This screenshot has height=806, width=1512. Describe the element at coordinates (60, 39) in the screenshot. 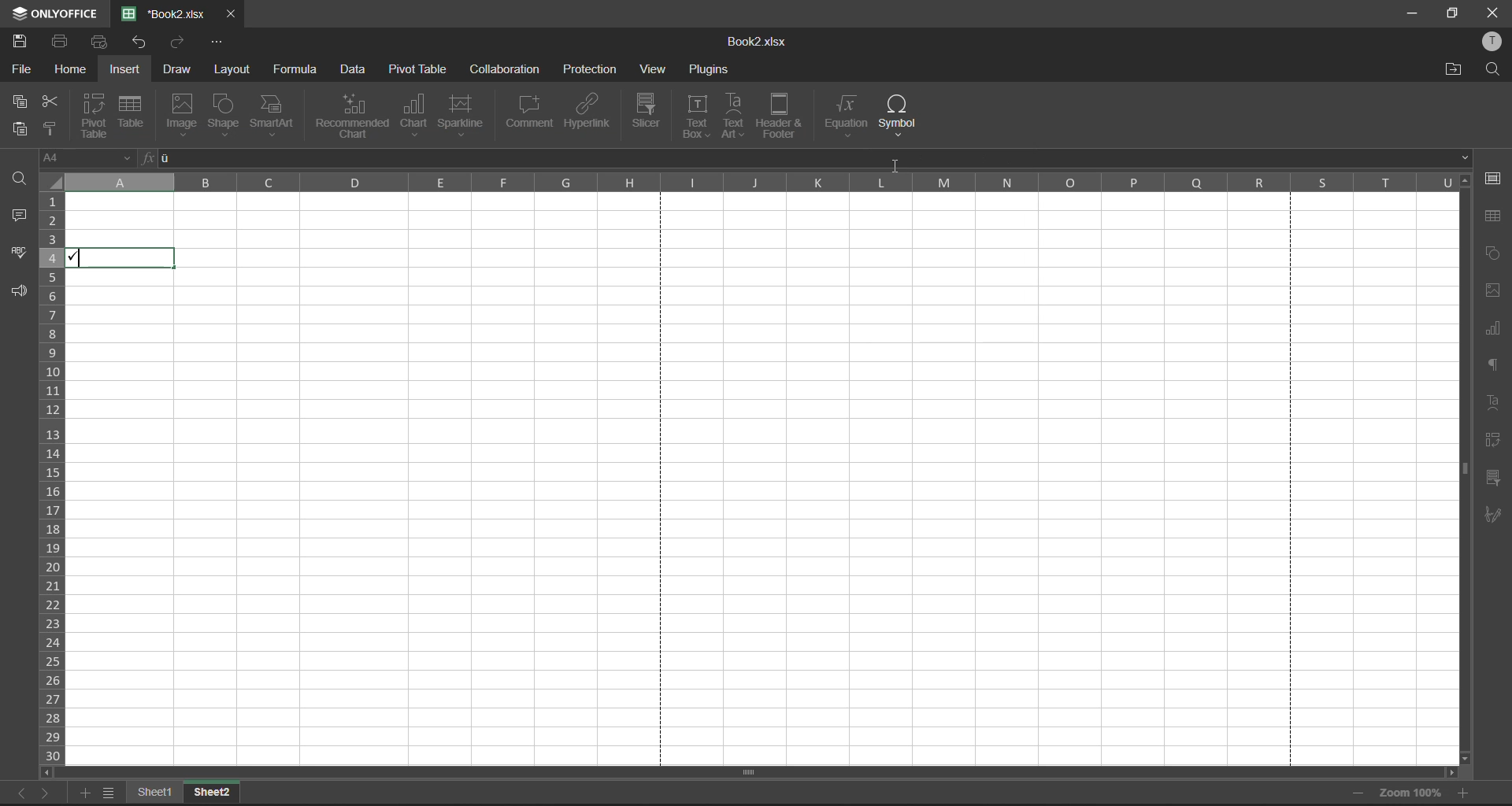

I see `print` at that location.